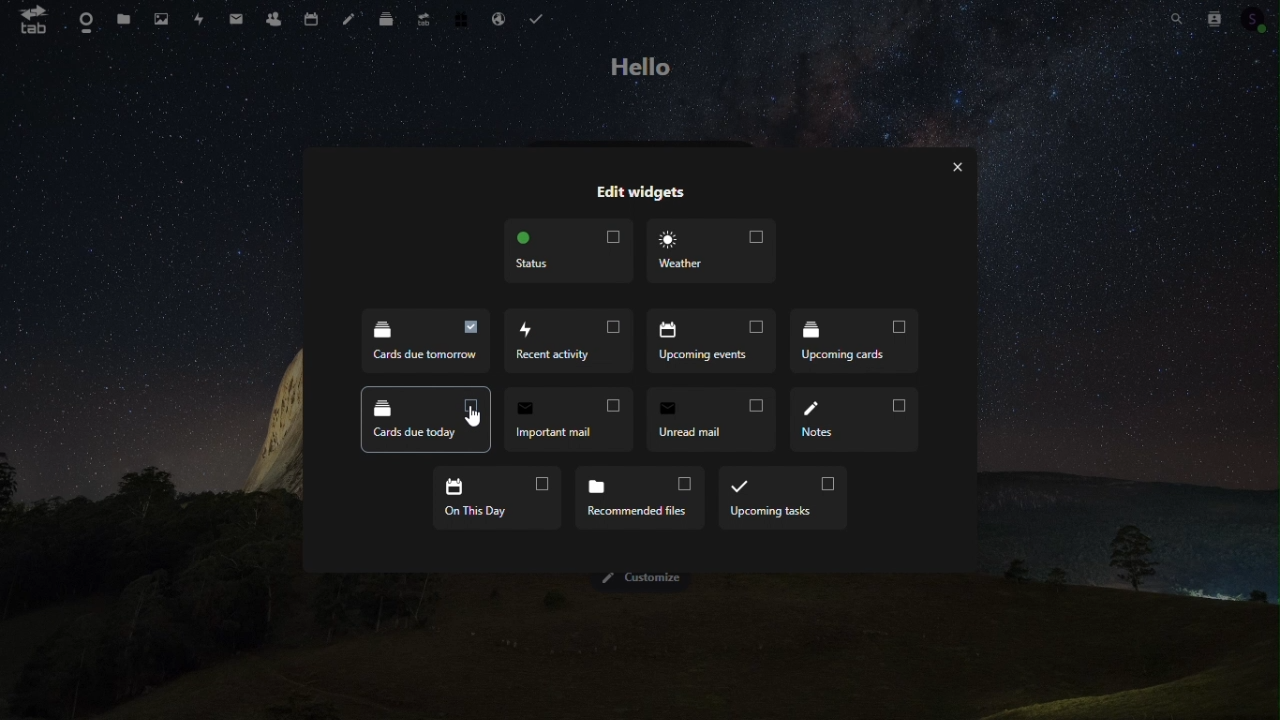 This screenshot has width=1280, height=720. I want to click on Upcoming events, so click(713, 342).